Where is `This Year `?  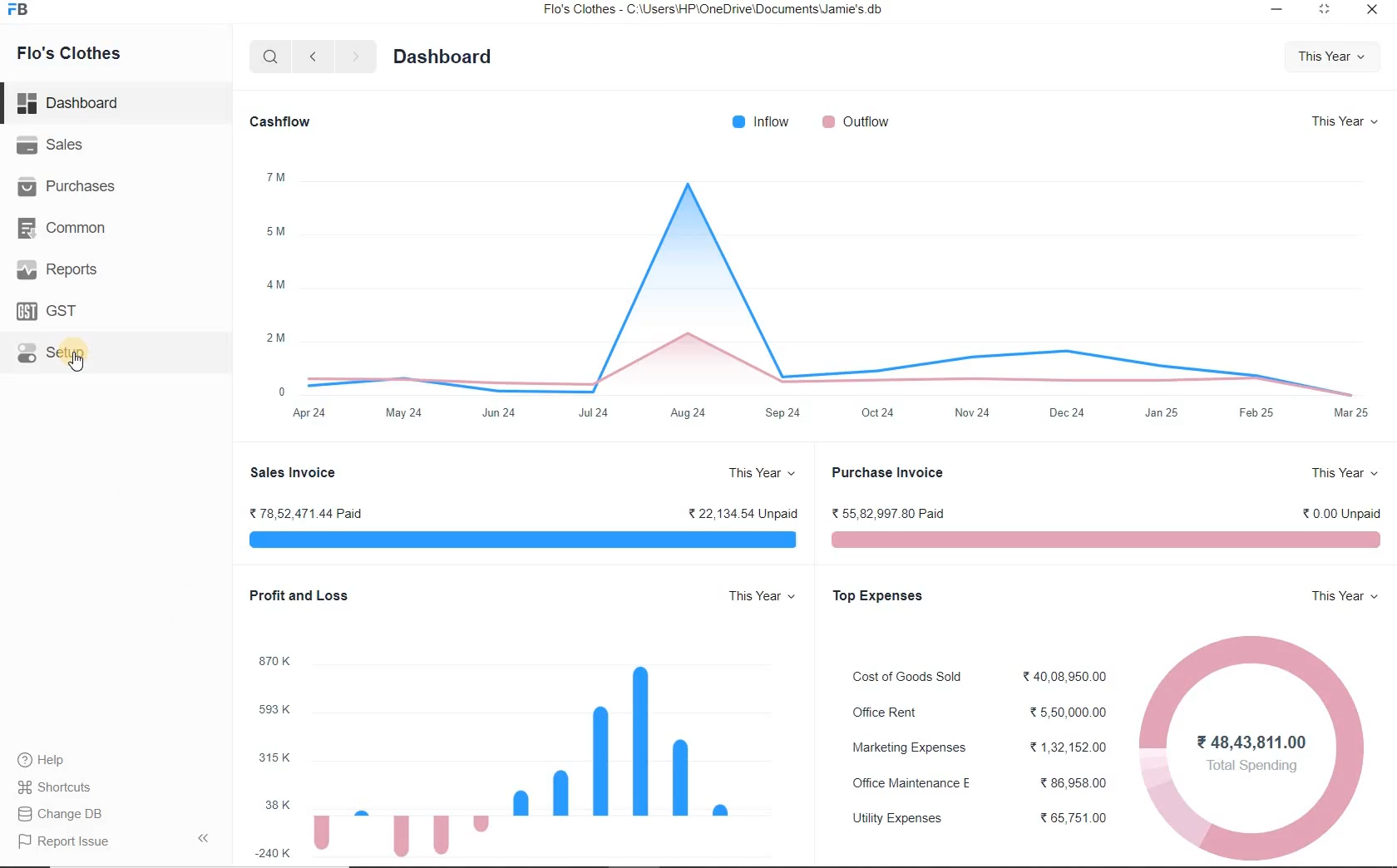
This Year  is located at coordinates (1345, 472).